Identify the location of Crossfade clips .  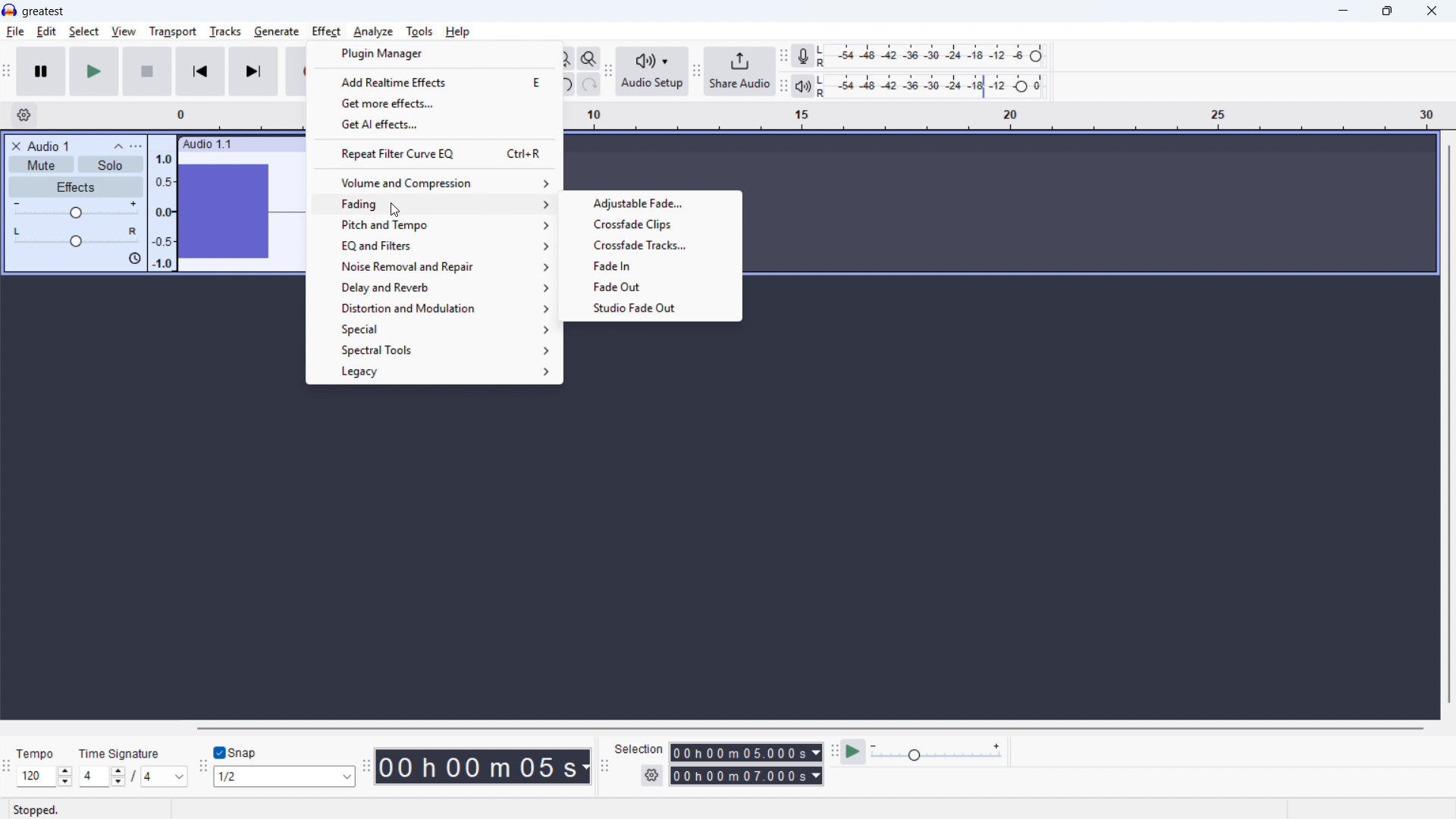
(651, 224).